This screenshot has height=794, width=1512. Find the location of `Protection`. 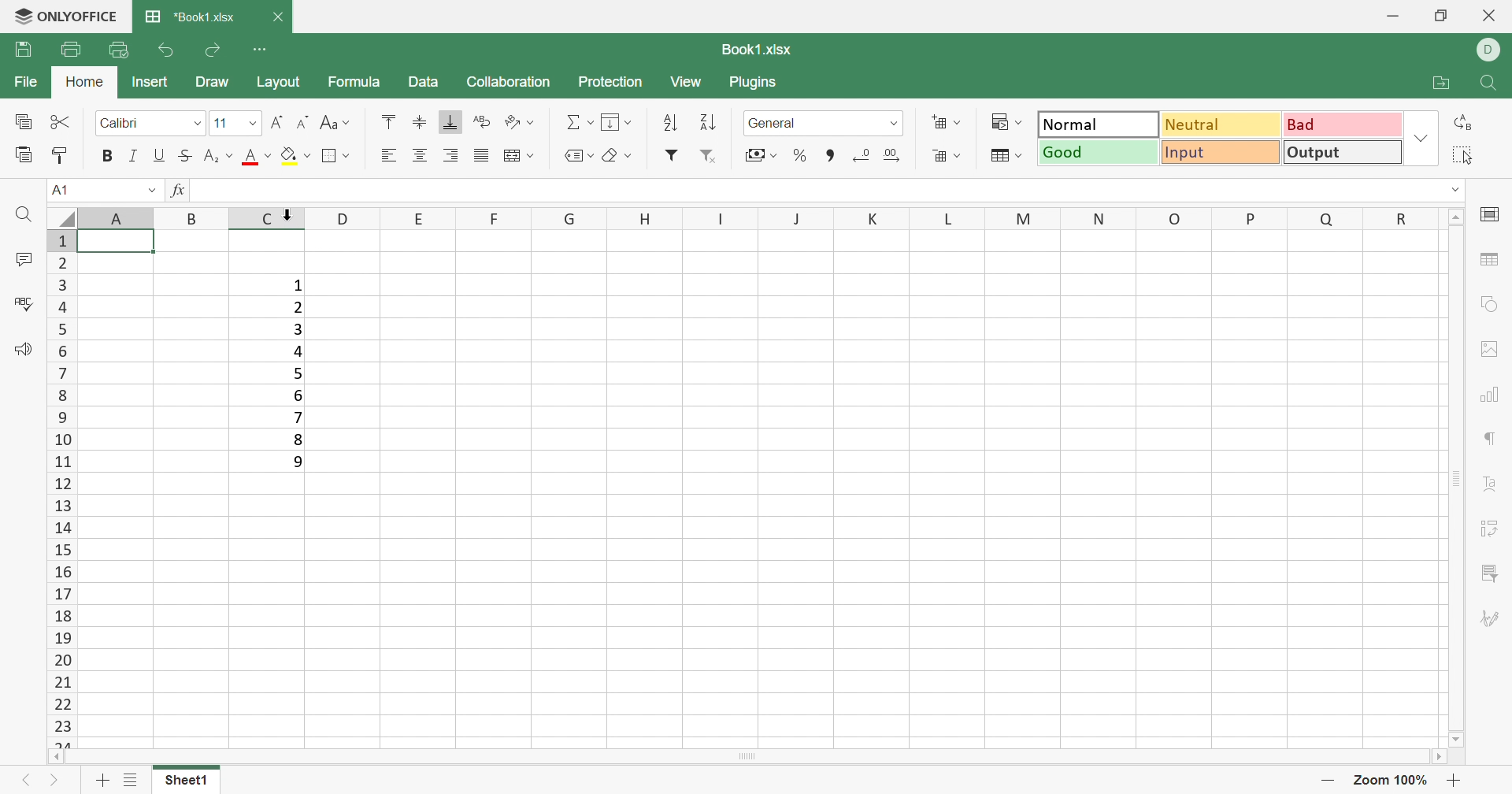

Protection is located at coordinates (612, 83).